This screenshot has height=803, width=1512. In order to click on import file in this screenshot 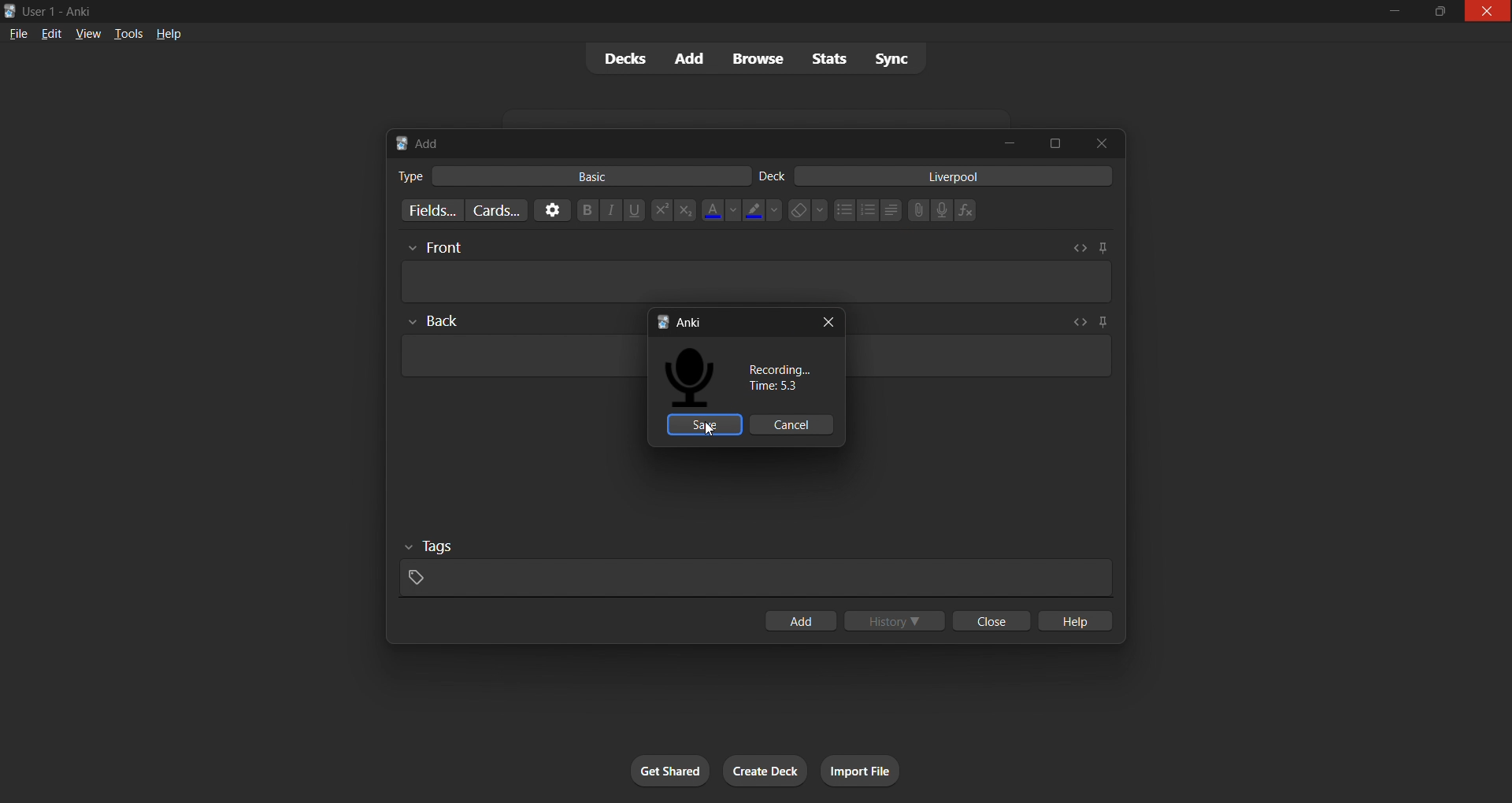, I will do `click(876, 768)`.